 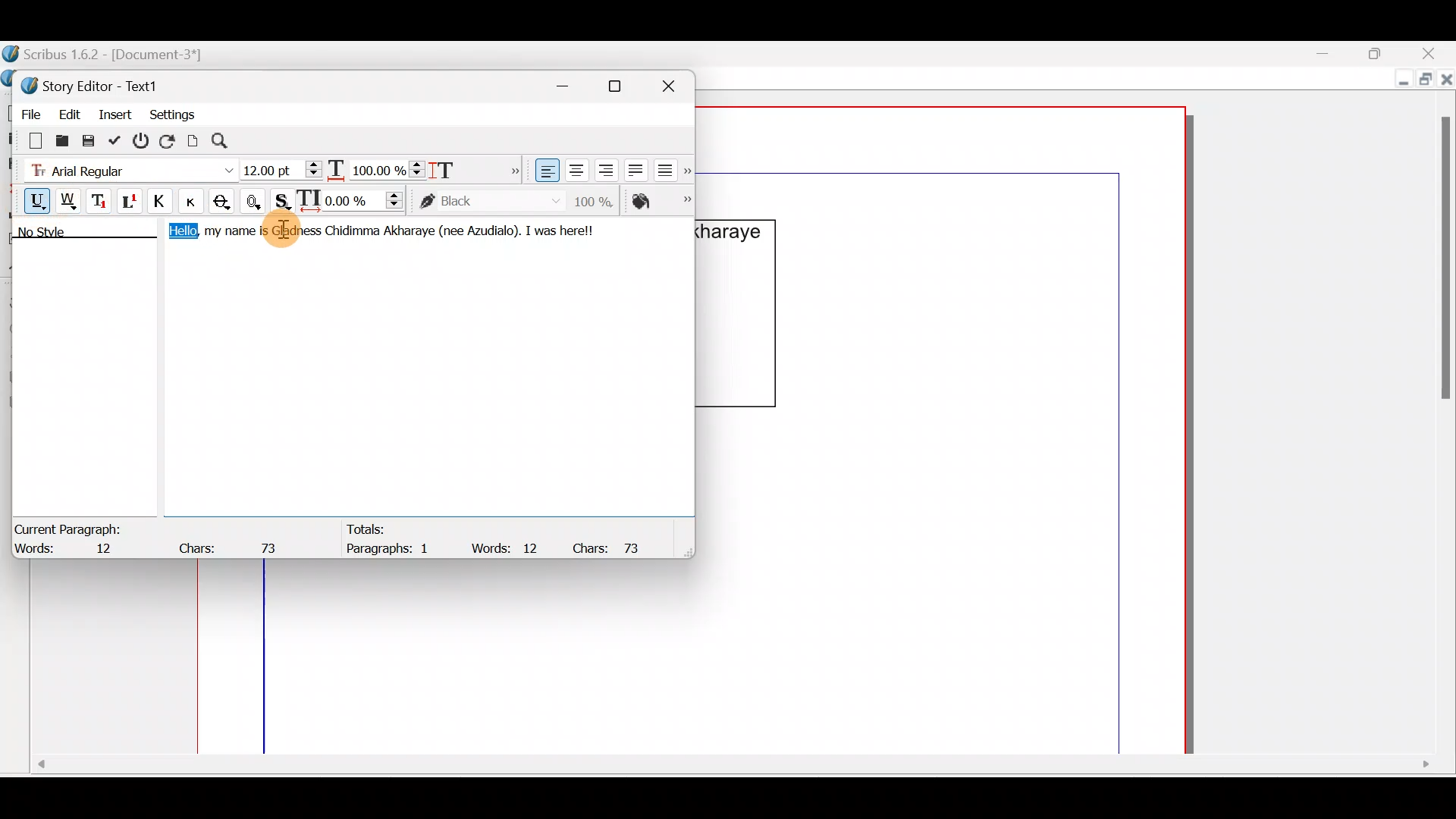 I want to click on File, so click(x=27, y=111).